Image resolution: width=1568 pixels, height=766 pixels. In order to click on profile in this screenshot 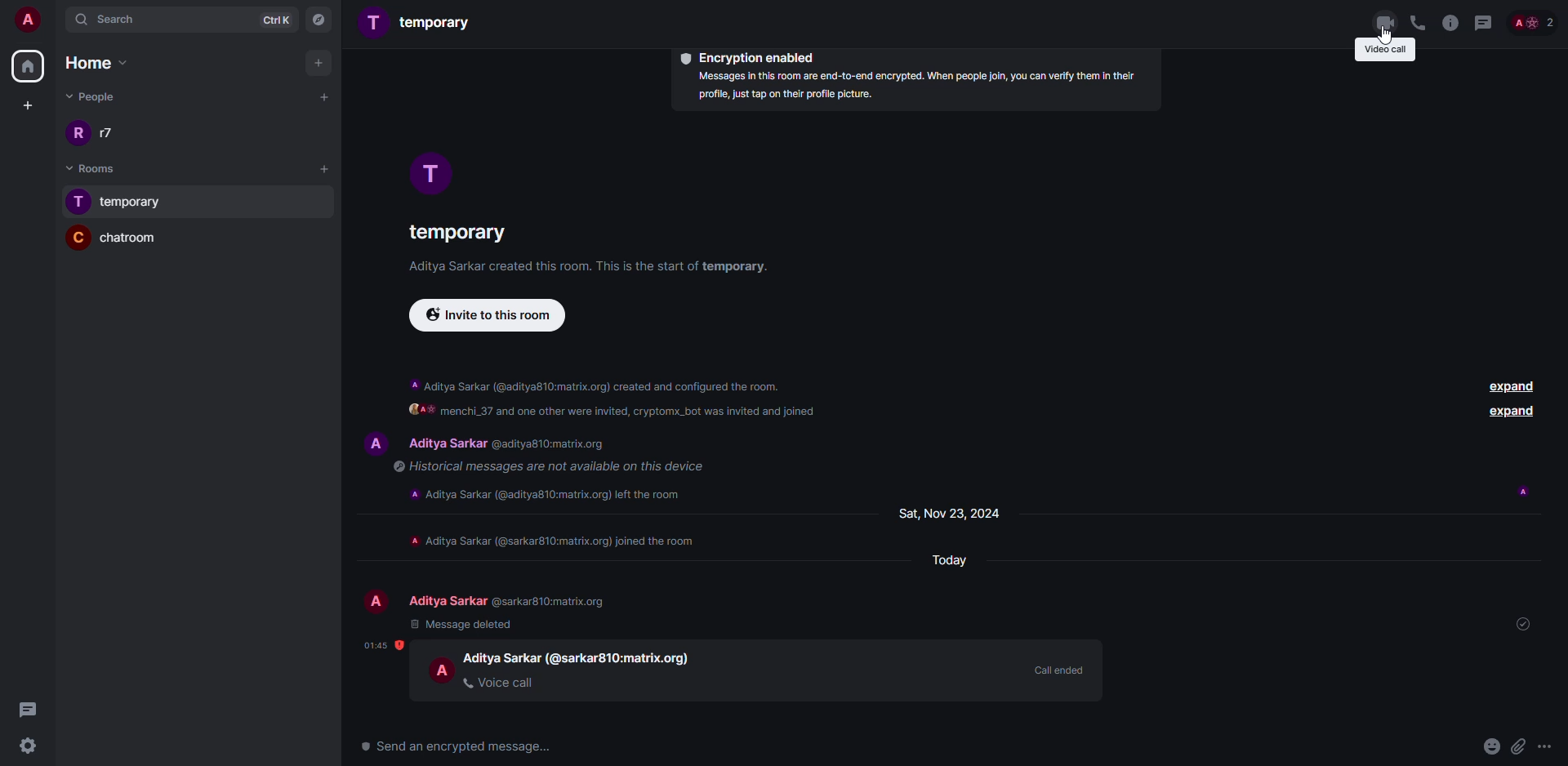, I will do `click(425, 171)`.